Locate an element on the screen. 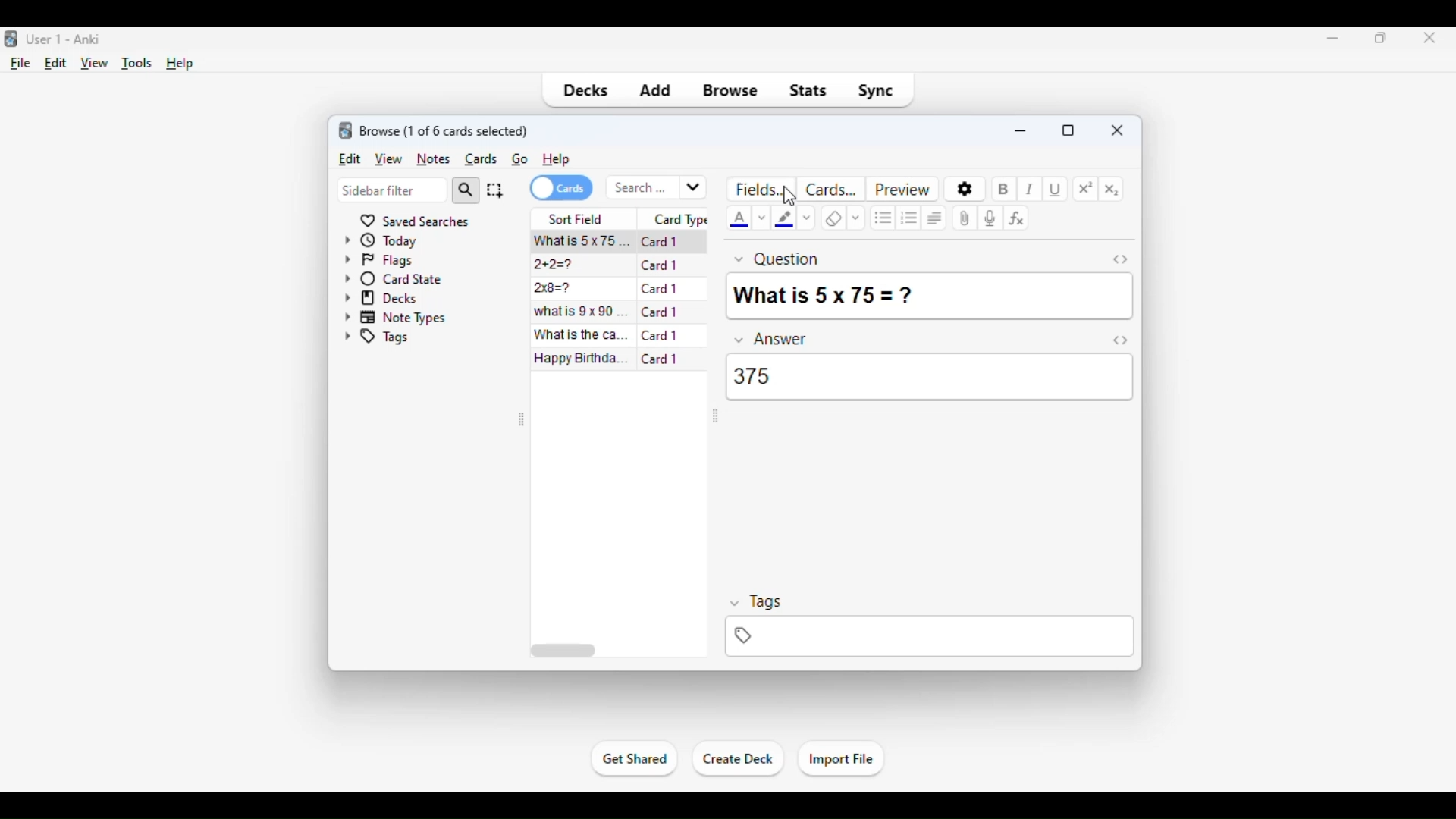 The height and width of the screenshot is (819, 1456). underline is located at coordinates (1056, 190).